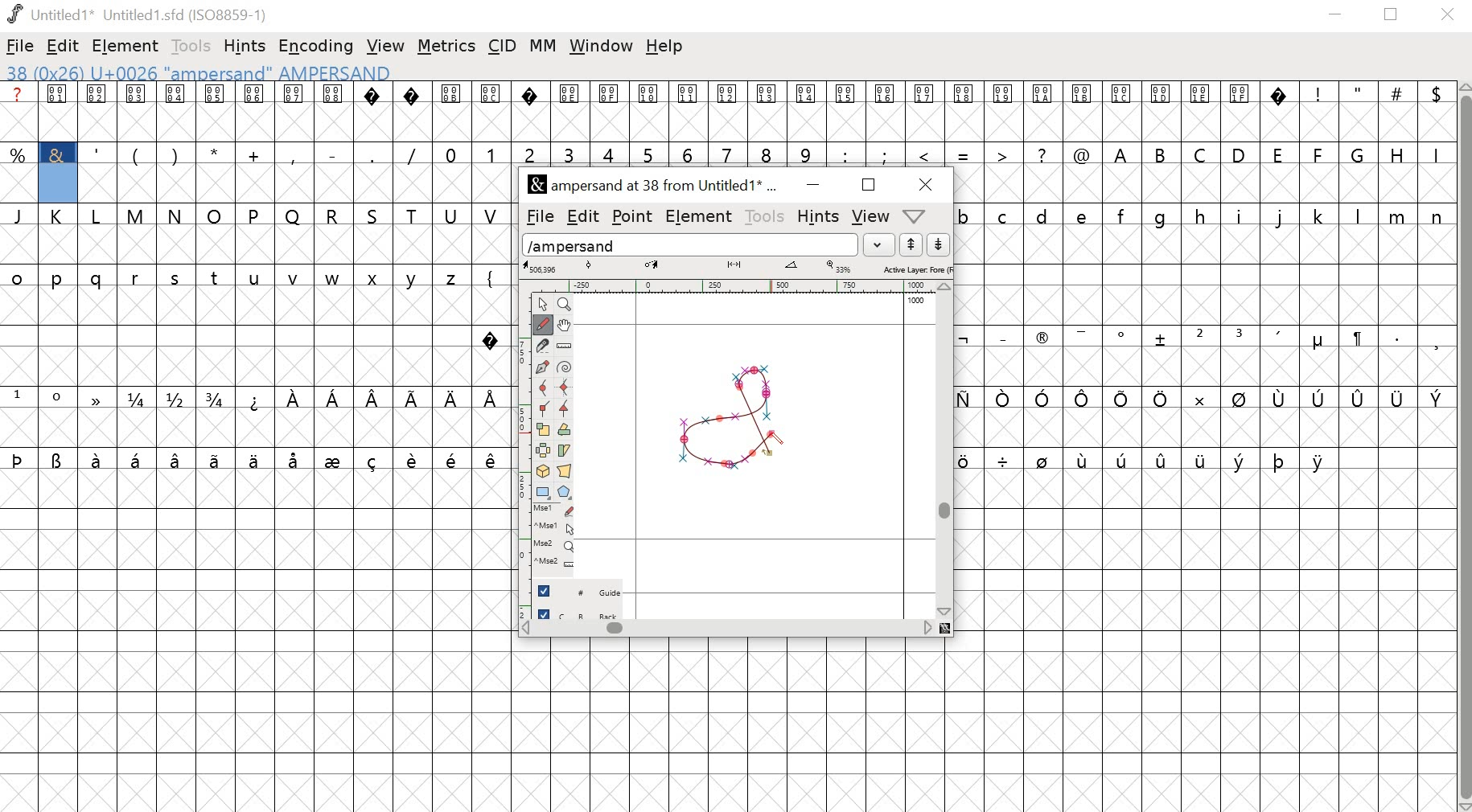 The height and width of the screenshot is (812, 1472). Describe the element at coordinates (416, 214) in the screenshot. I see `T` at that location.